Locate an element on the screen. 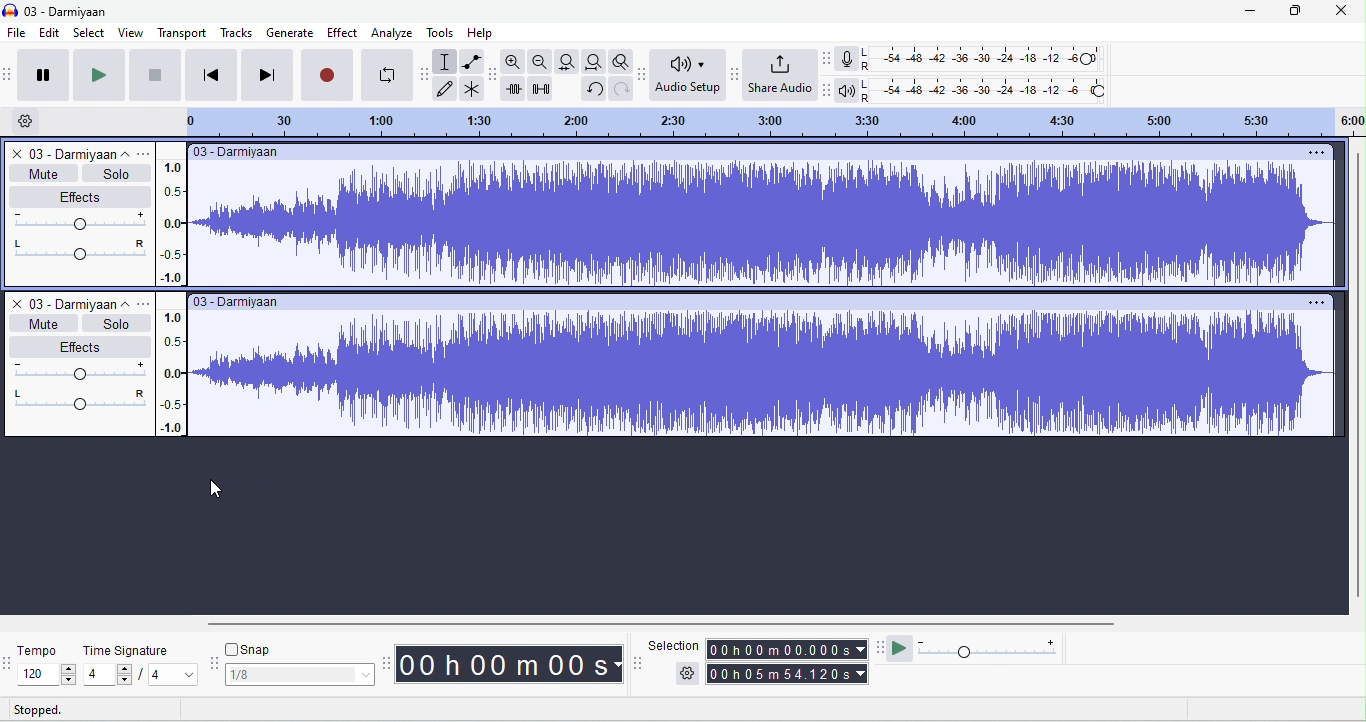 This screenshot has height=722, width=1366. select is located at coordinates (90, 32).